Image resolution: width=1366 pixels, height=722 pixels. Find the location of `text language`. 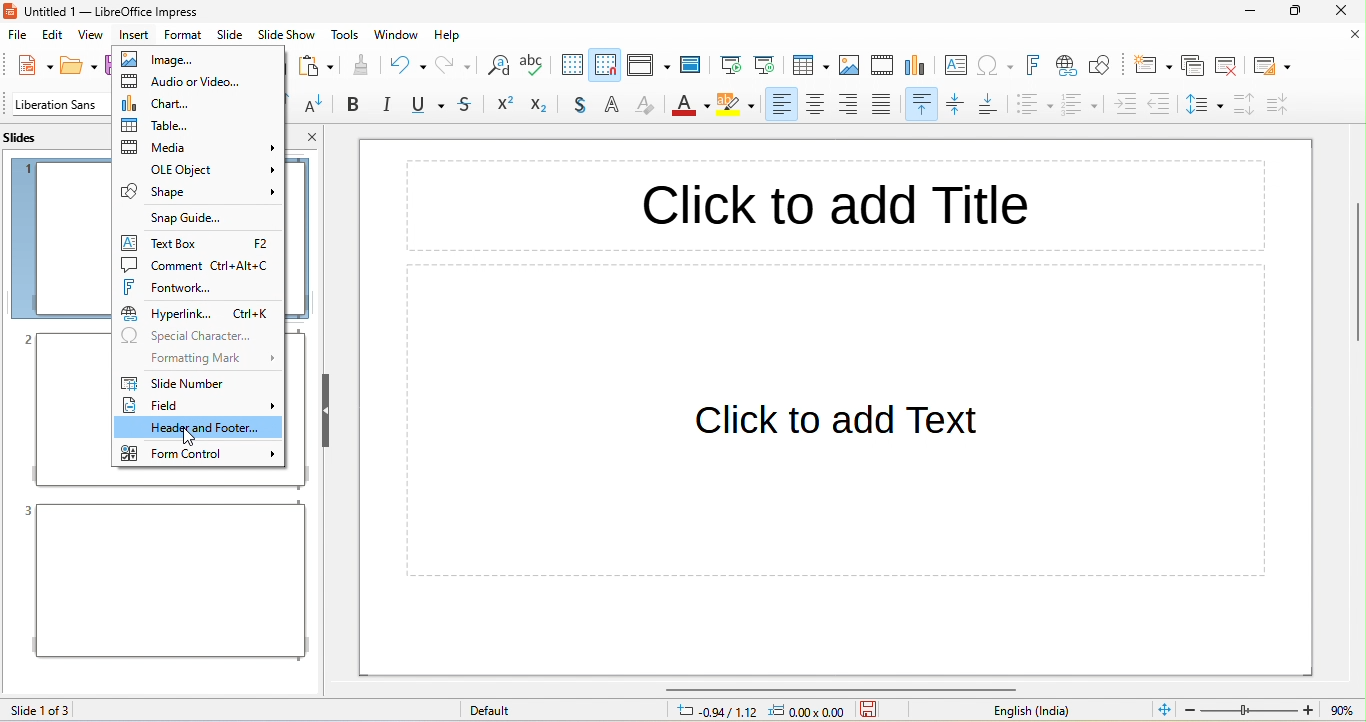

text language is located at coordinates (1040, 711).